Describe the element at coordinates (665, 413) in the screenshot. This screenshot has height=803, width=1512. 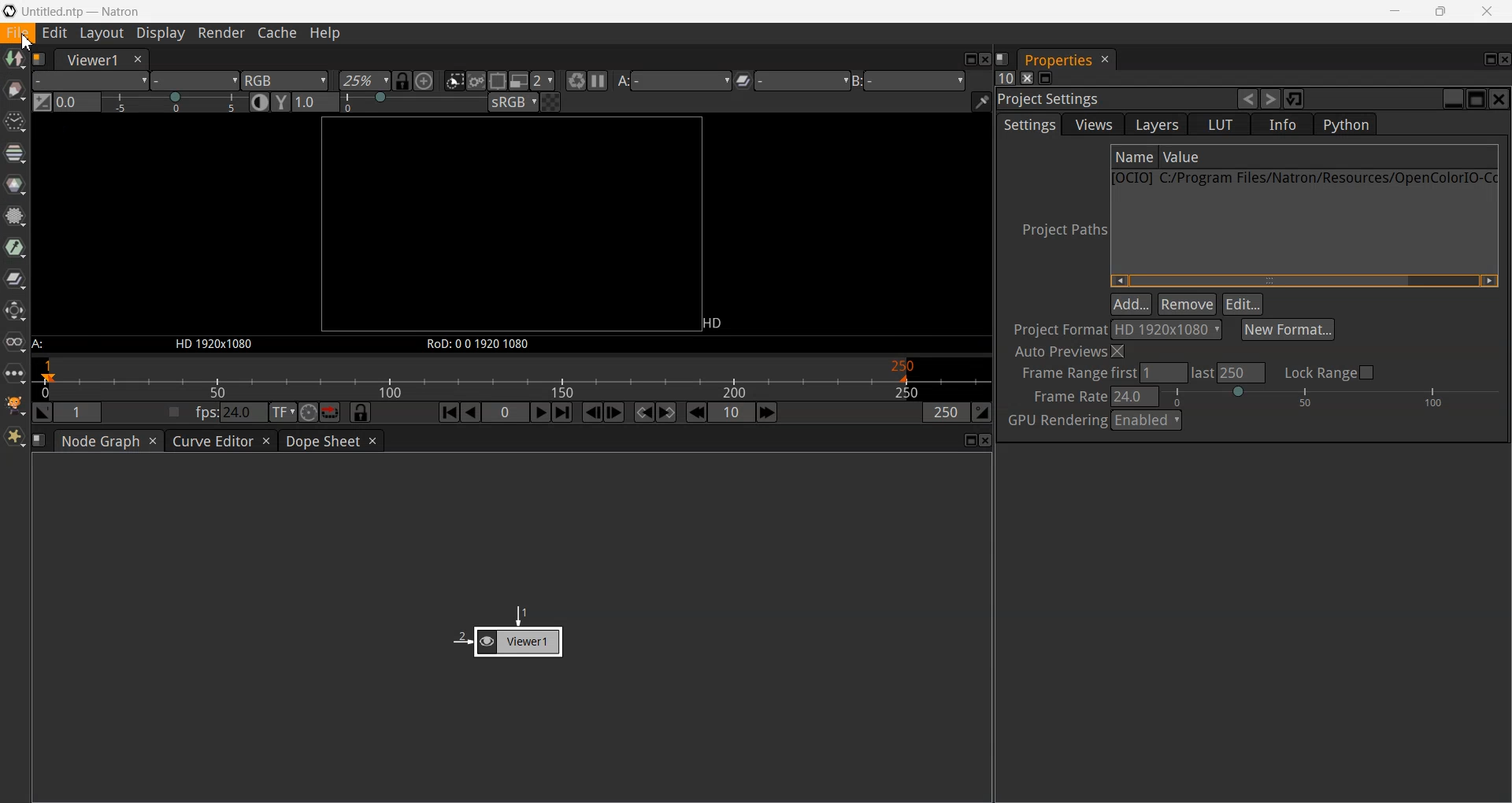
I see `Next keyframe` at that location.